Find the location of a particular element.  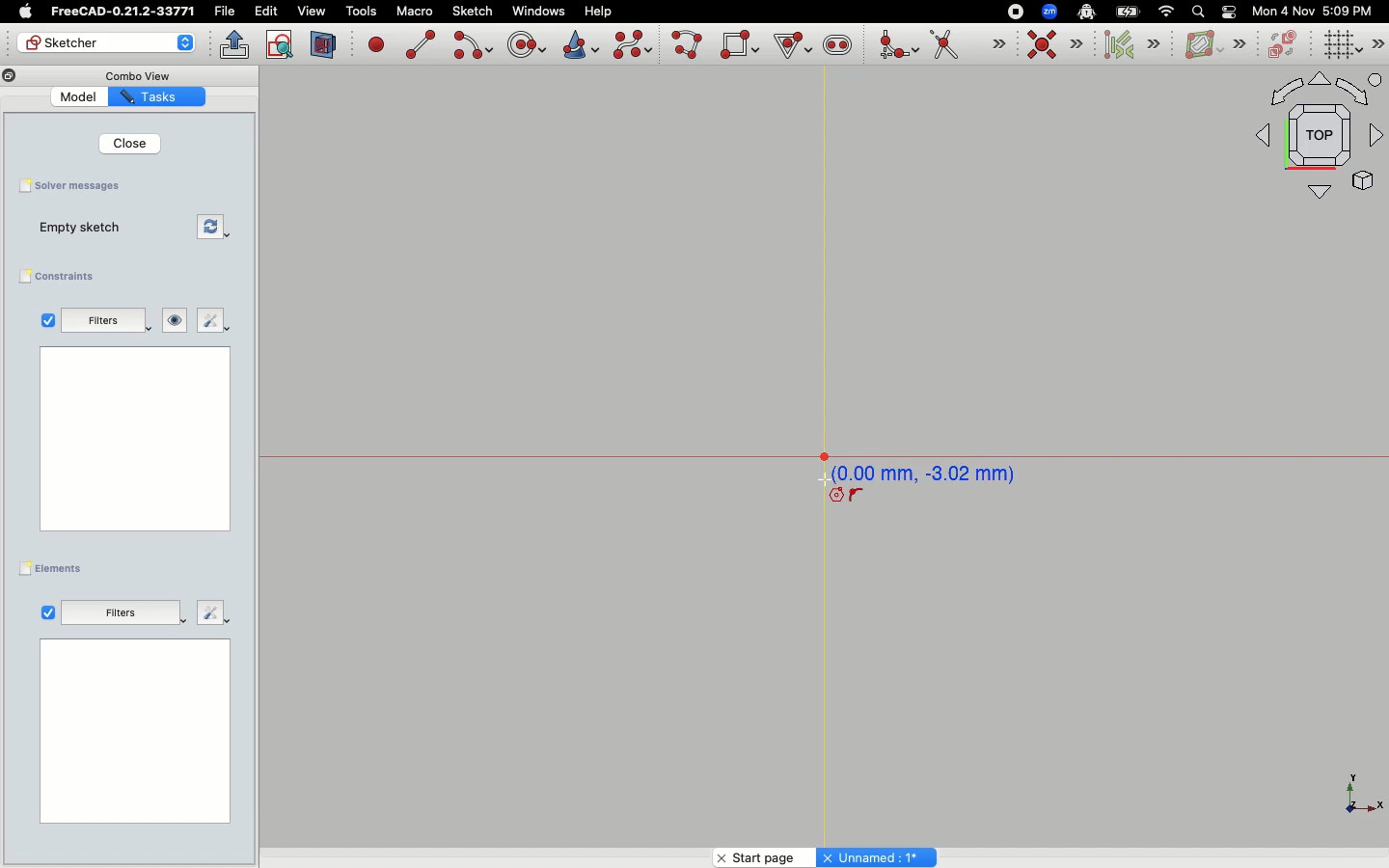

Look is located at coordinates (176, 320).